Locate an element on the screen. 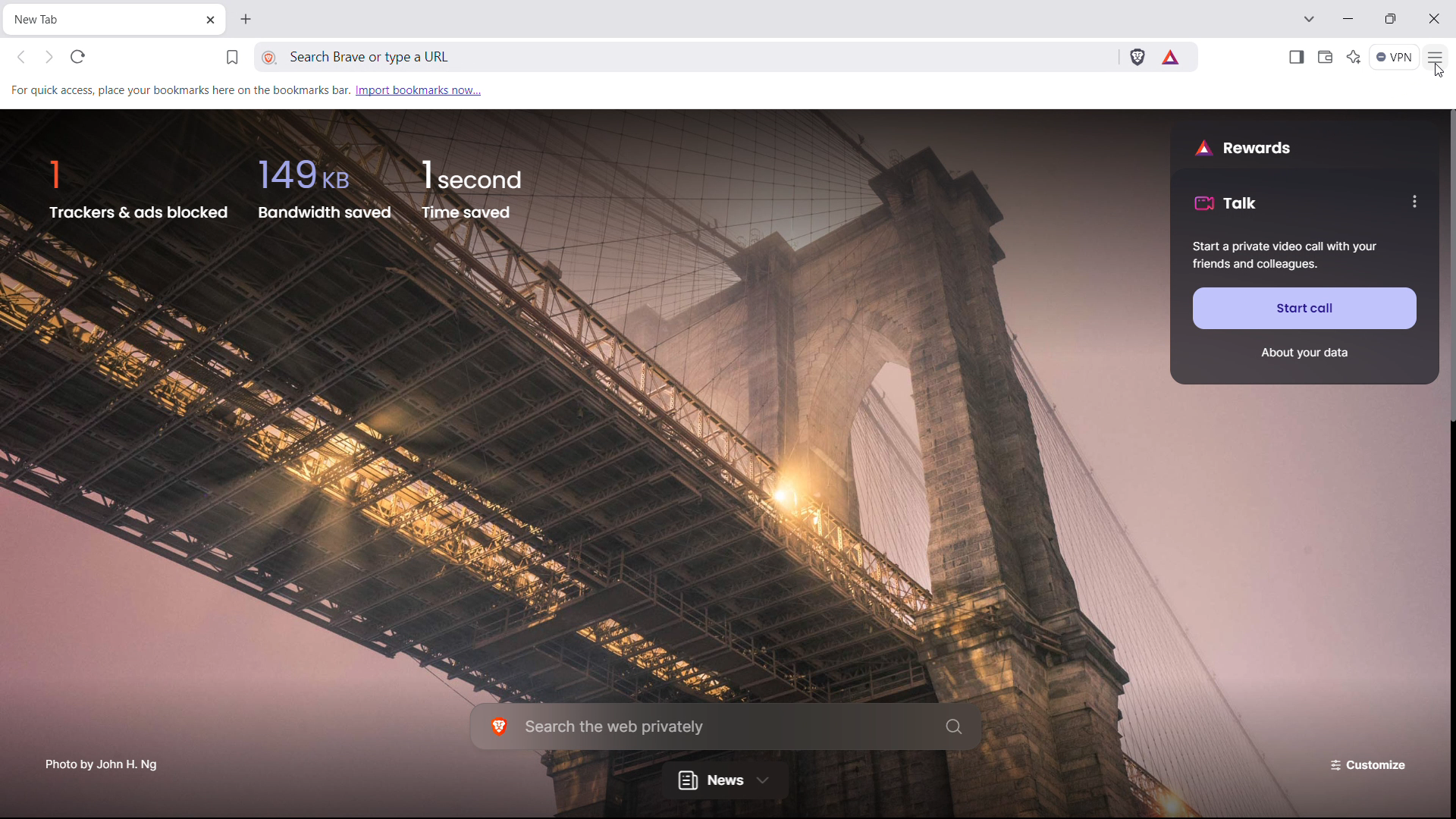 Image resolution: width=1456 pixels, height=819 pixels. talk is located at coordinates (1225, 203).